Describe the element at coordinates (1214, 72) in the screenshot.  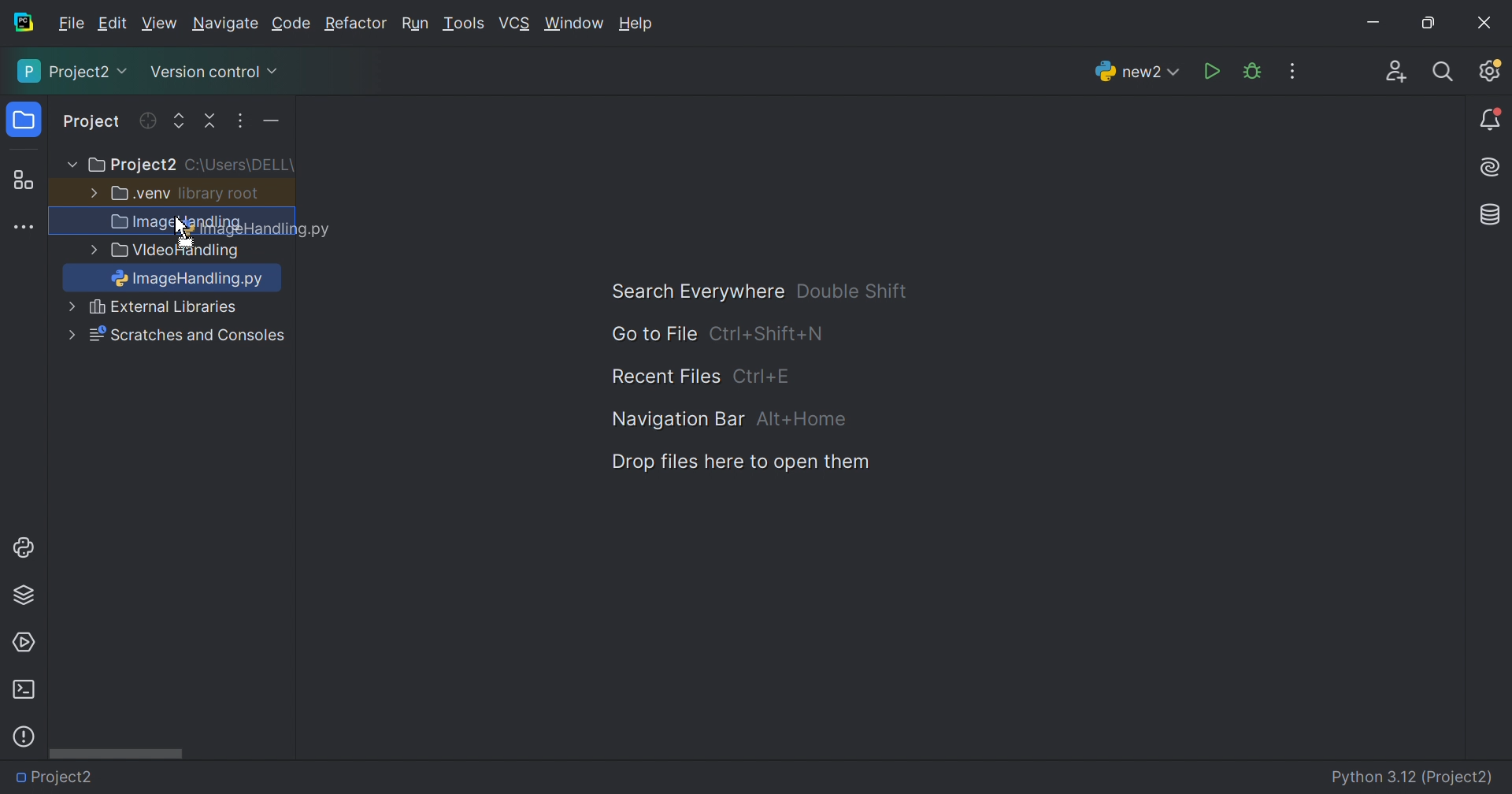
I see `Run` at that location.